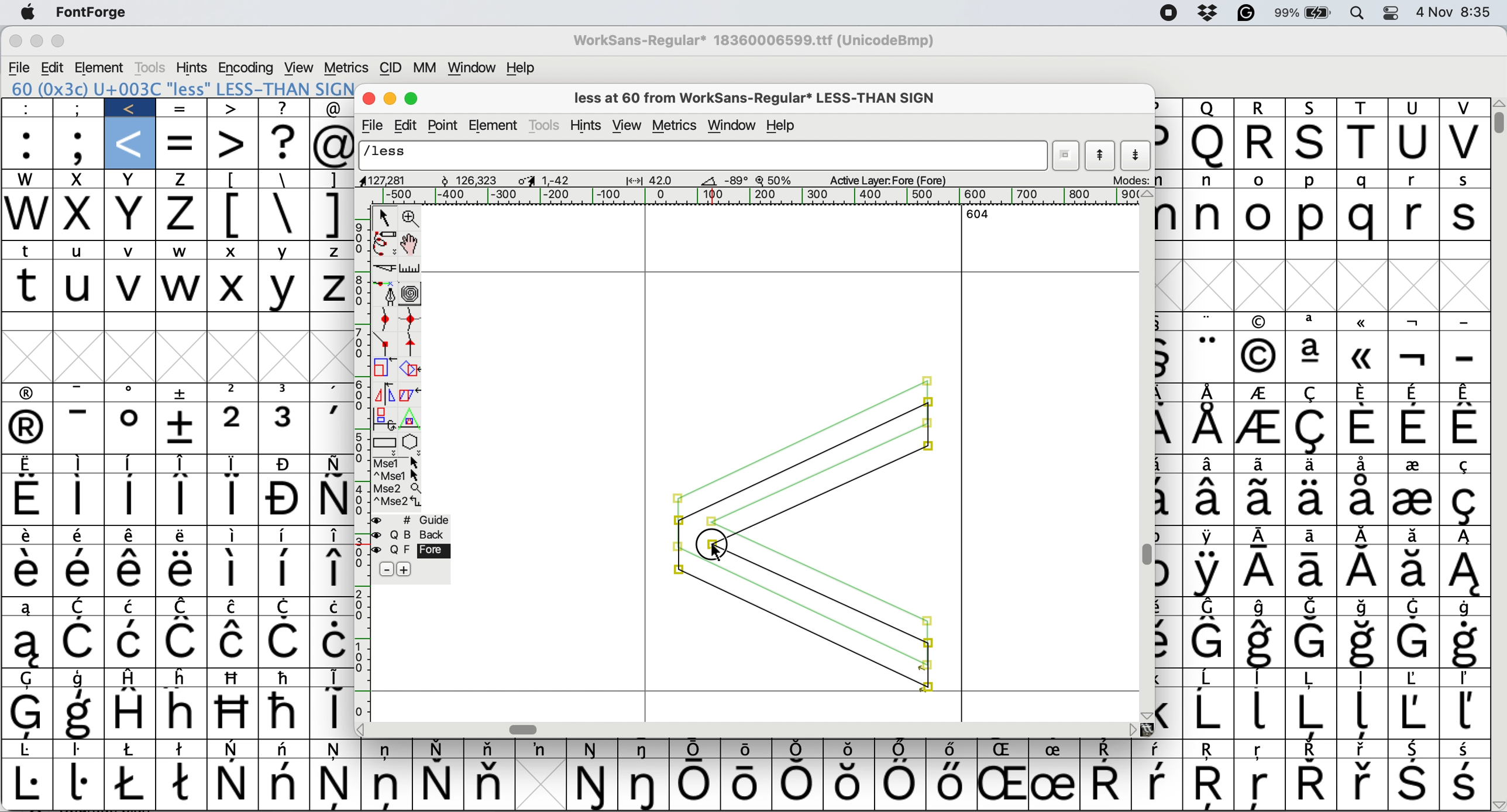  Describe the element at coordinates (232, 463) in the screenshot. I see `Symbol` at that location.